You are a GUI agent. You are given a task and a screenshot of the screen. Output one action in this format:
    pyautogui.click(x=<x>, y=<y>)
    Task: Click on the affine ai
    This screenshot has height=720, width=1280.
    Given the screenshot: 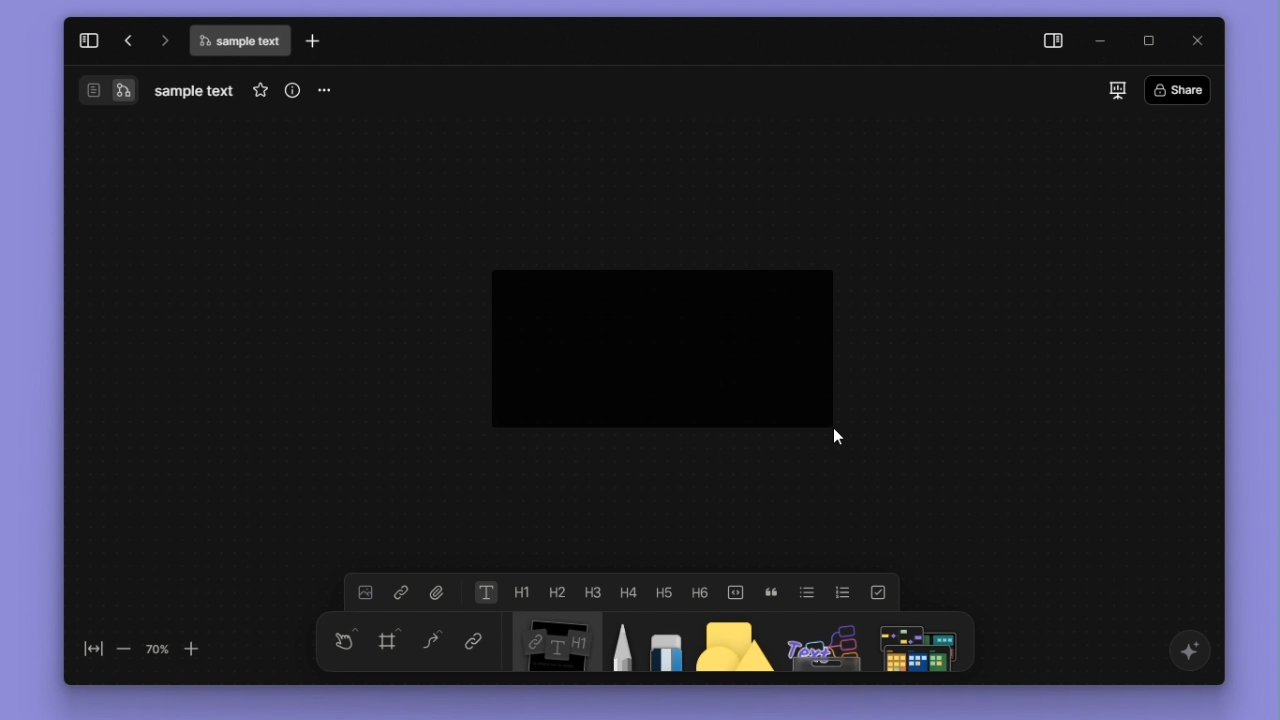 What is the action you would take?
    pyautogui.click(x=1187, y=651)
    